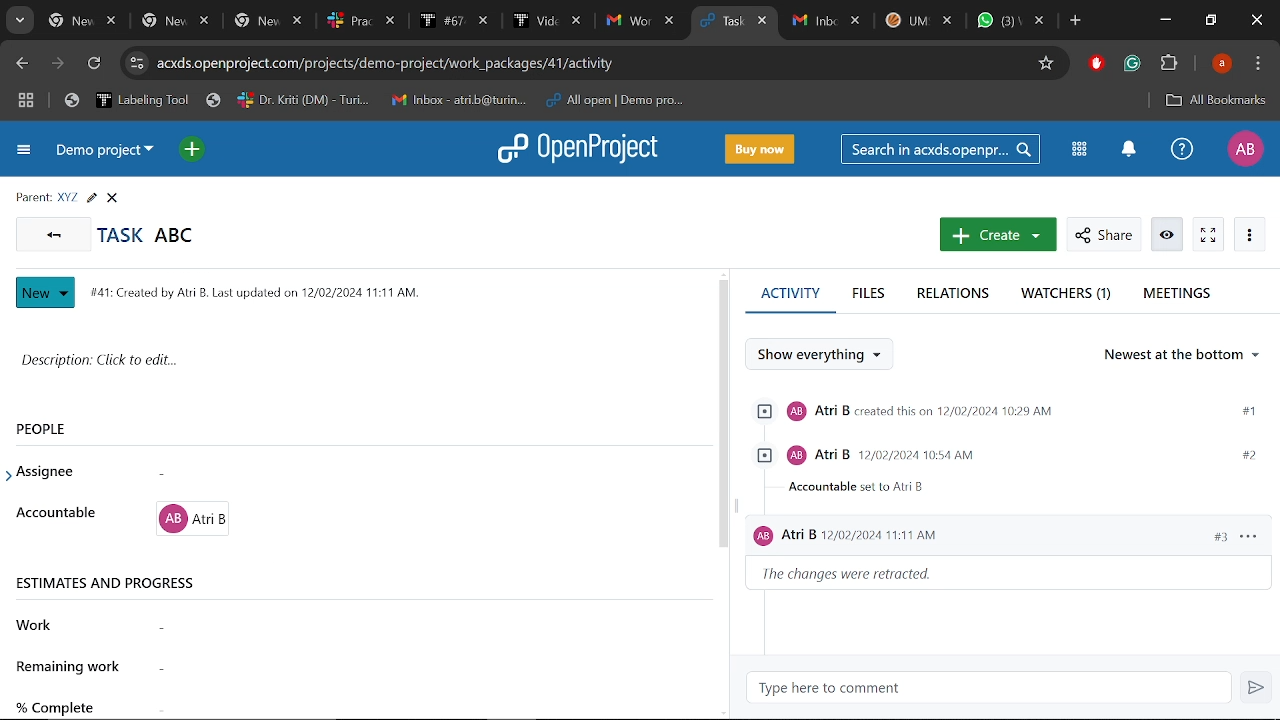  I want to click on activity history: Atri B created this on 12/02/2024 10:29 AM , so click(1002, 412).